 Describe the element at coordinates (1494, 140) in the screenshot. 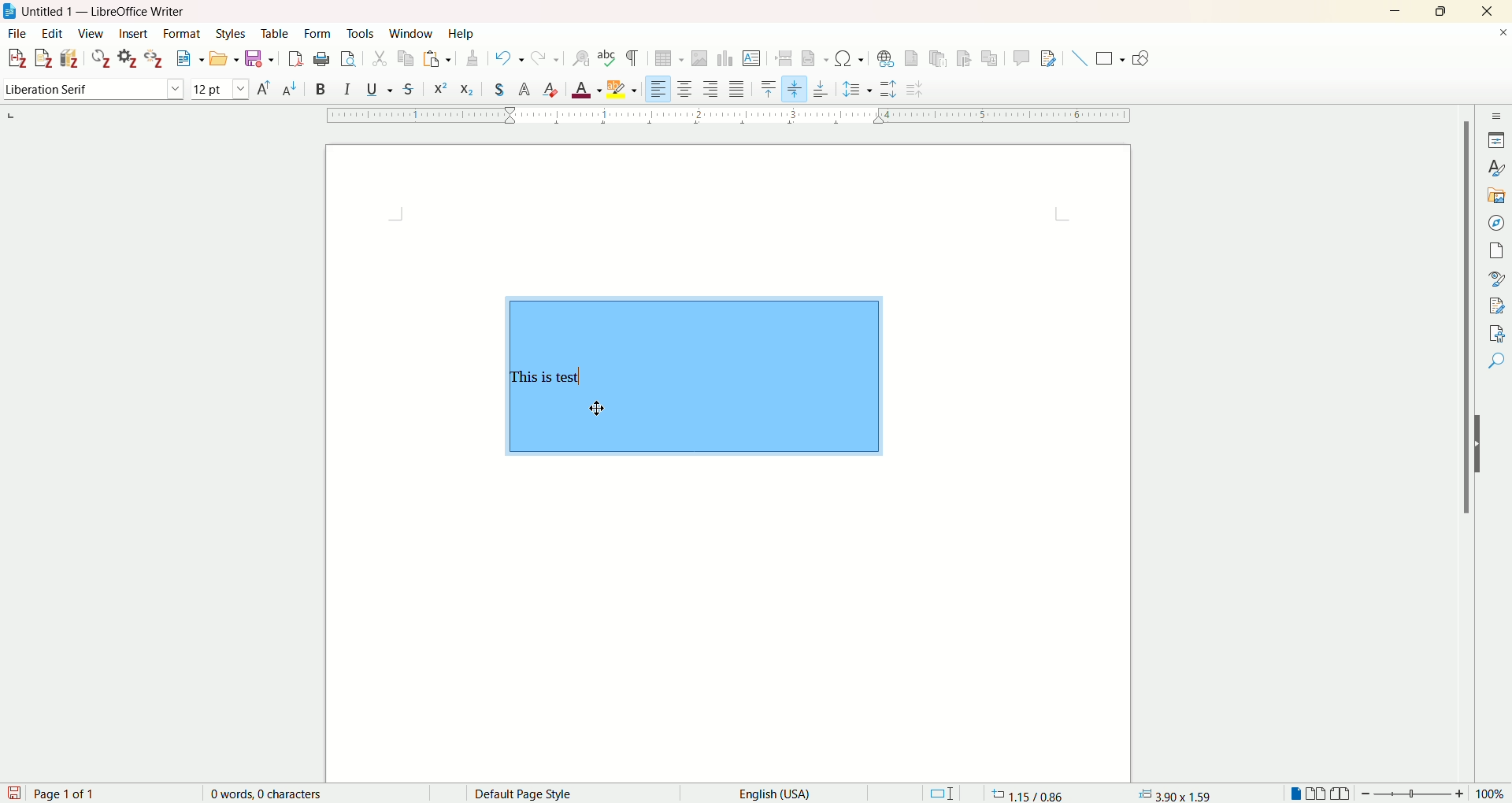

I see `properties` at that location.